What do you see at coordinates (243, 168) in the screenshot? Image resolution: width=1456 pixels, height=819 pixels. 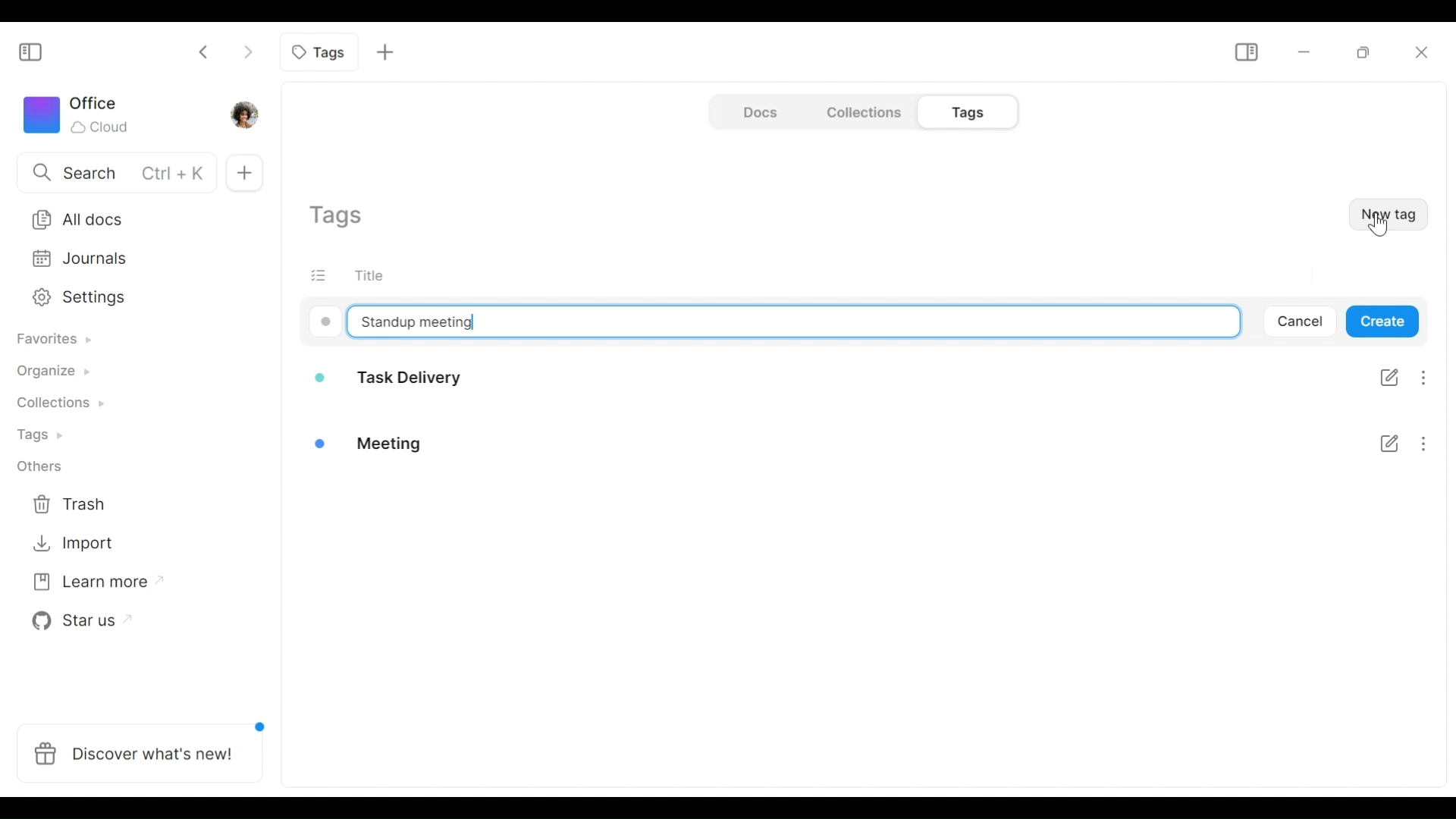 I see `New documents` at bounding box center [243, 168].